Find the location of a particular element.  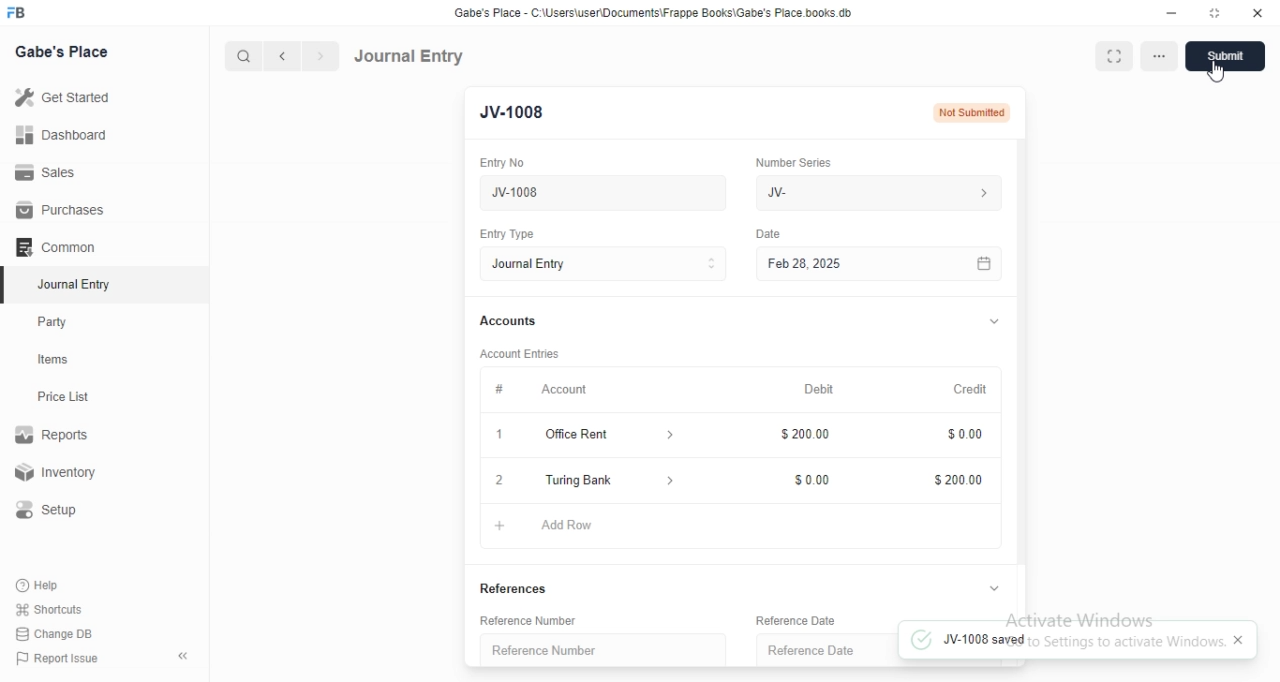

Gabe's Place is located at coordinates (64, 51).